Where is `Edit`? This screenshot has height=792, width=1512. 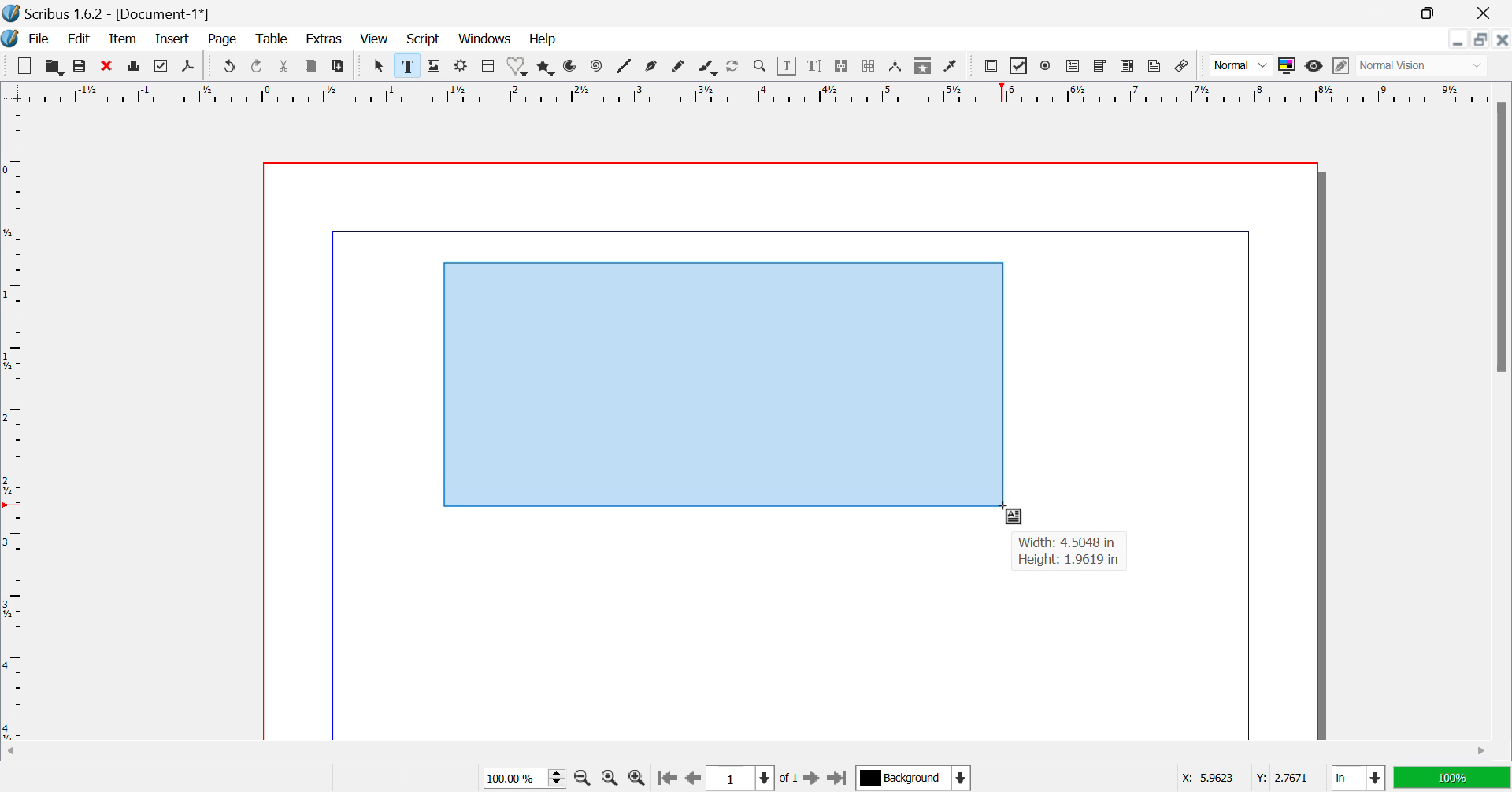
Edit is located at coordinates (81, 41).